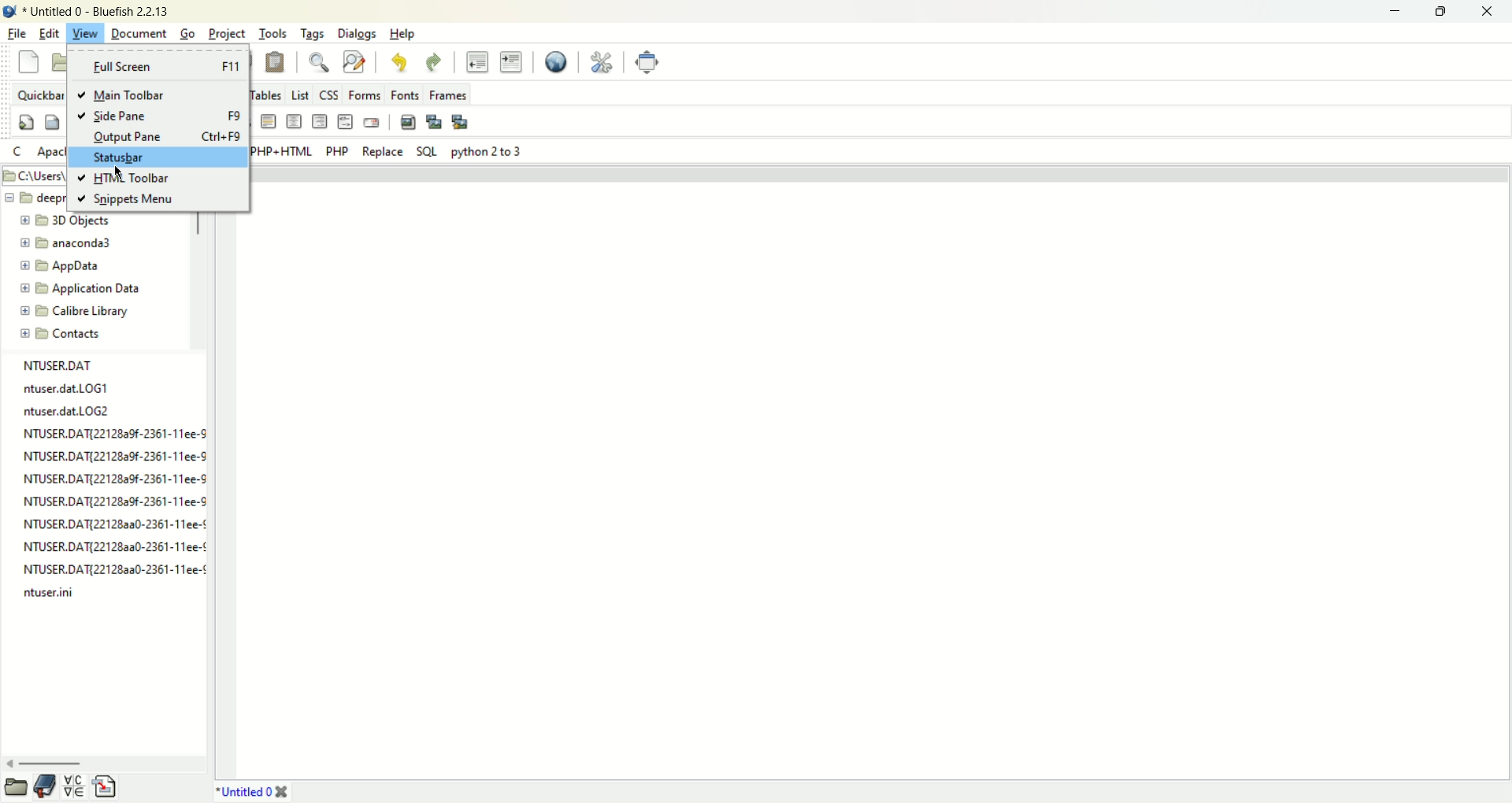 Image resolution: width=1512 pixels, height=803 pixels. I want to click on center, so click(295, 121).